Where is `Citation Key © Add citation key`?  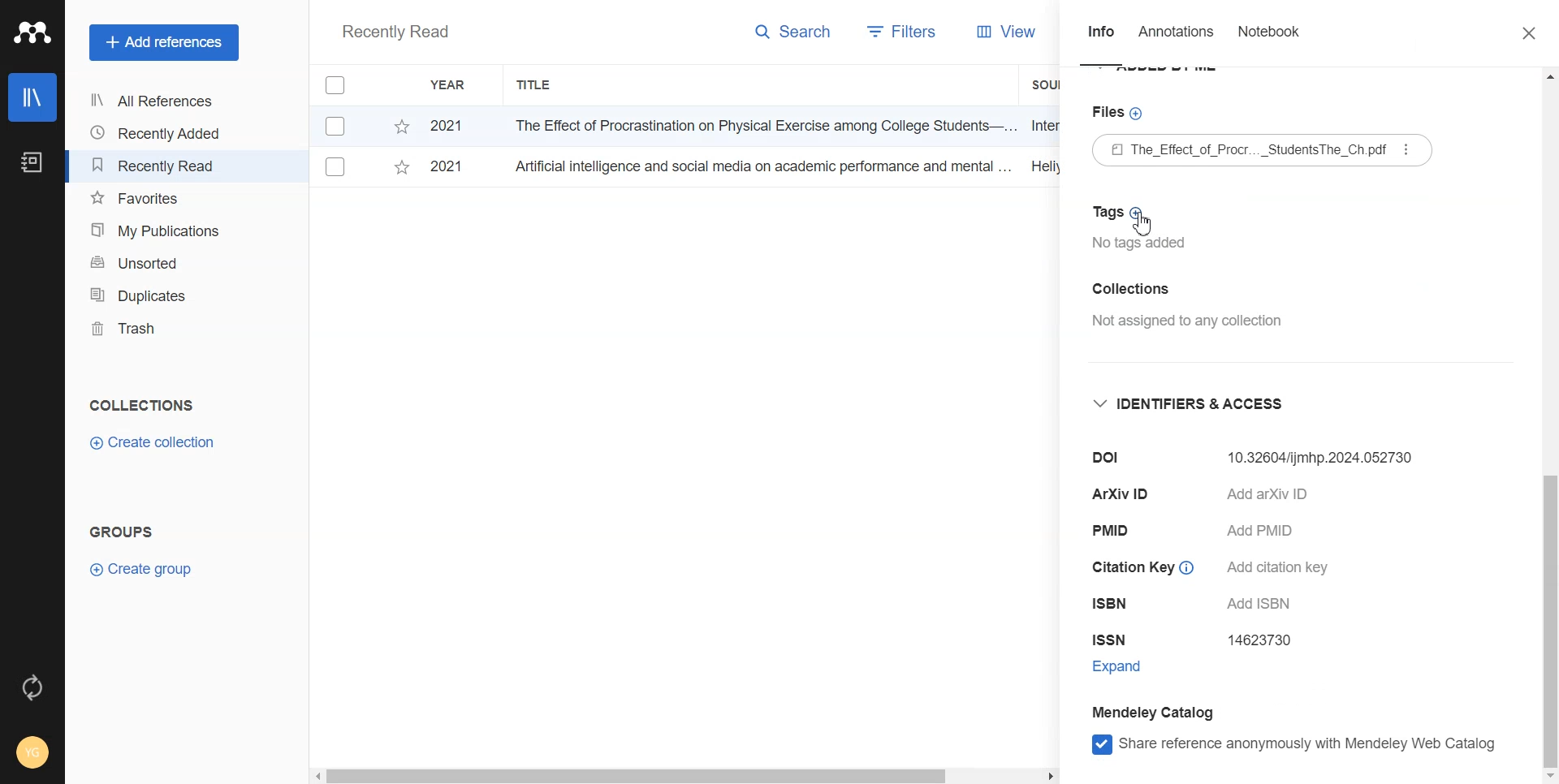 Citation Key © Add citation key is located at coordinates (1211, 571).